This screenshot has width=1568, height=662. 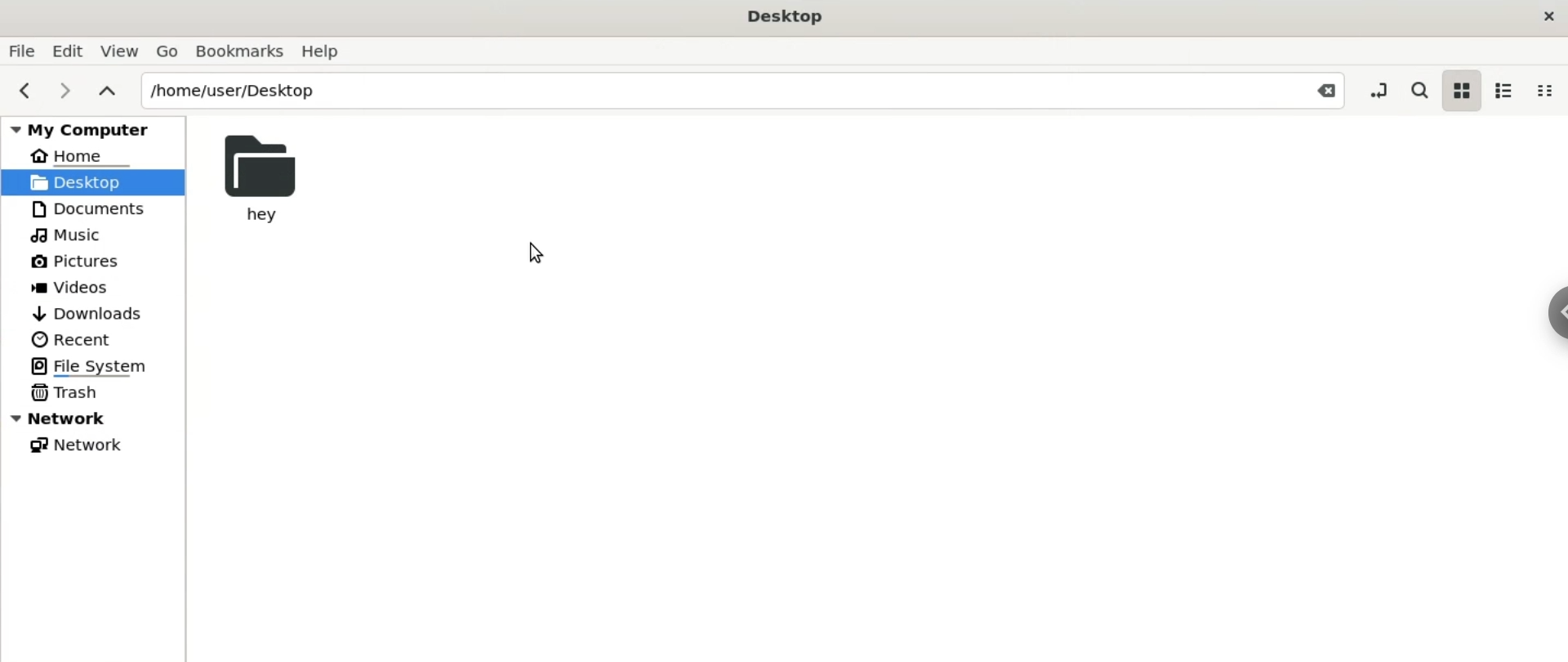 What do you see at coordinates (261, 179) in the screenshot?
I see `hey ` at bounding box center [261, 179].